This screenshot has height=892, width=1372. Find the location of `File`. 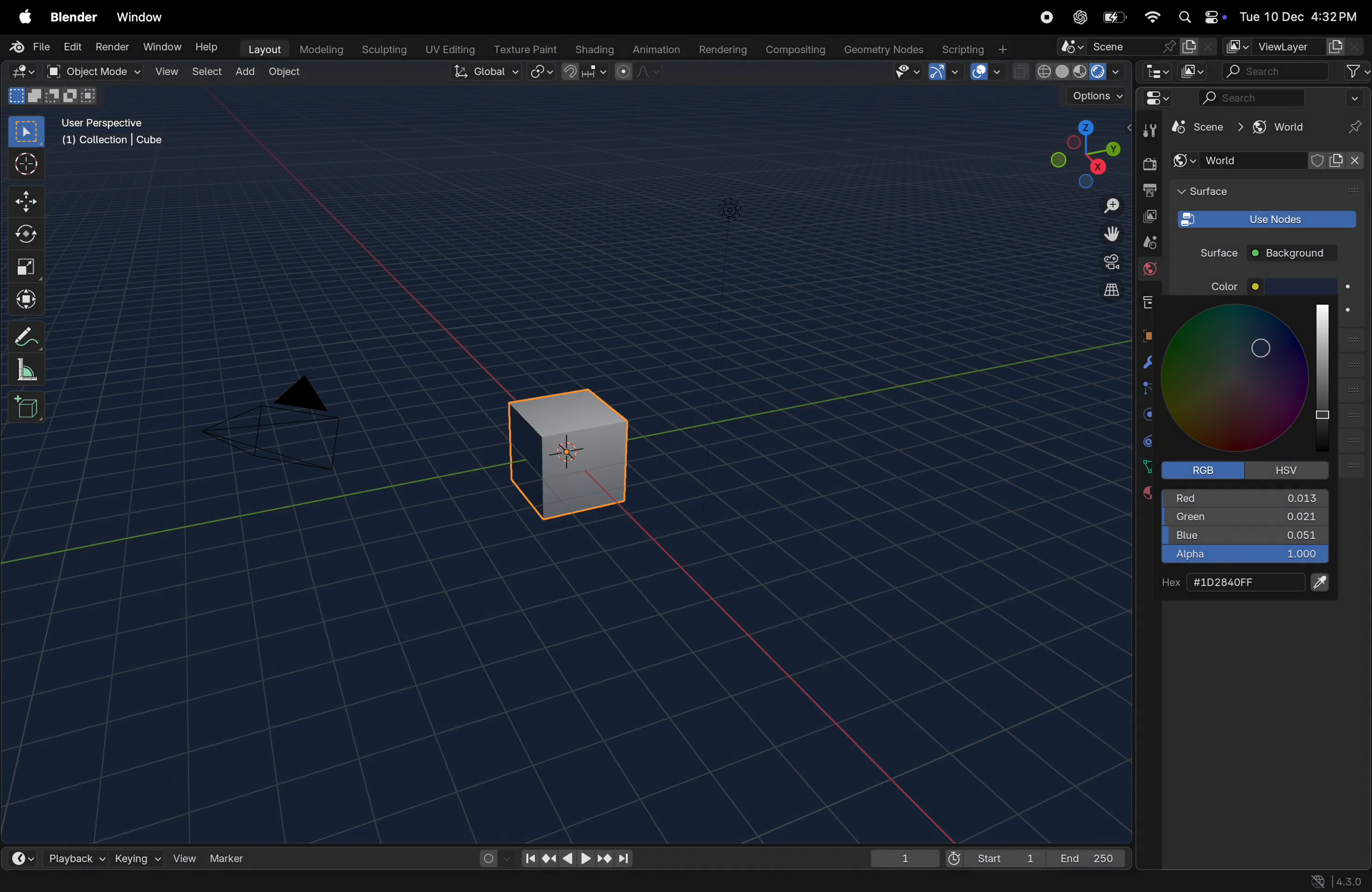

File is located at coordinates (28, 47).